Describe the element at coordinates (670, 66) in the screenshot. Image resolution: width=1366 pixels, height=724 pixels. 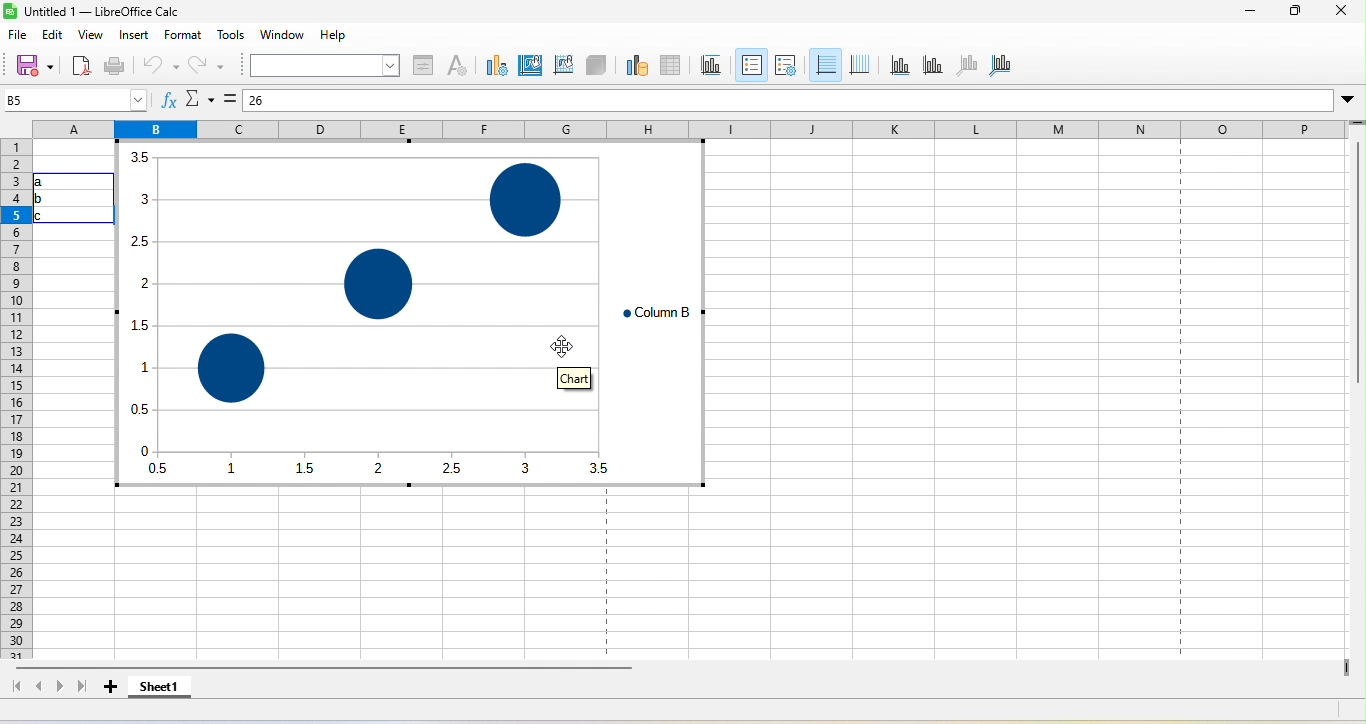
I see `data table` at that location.